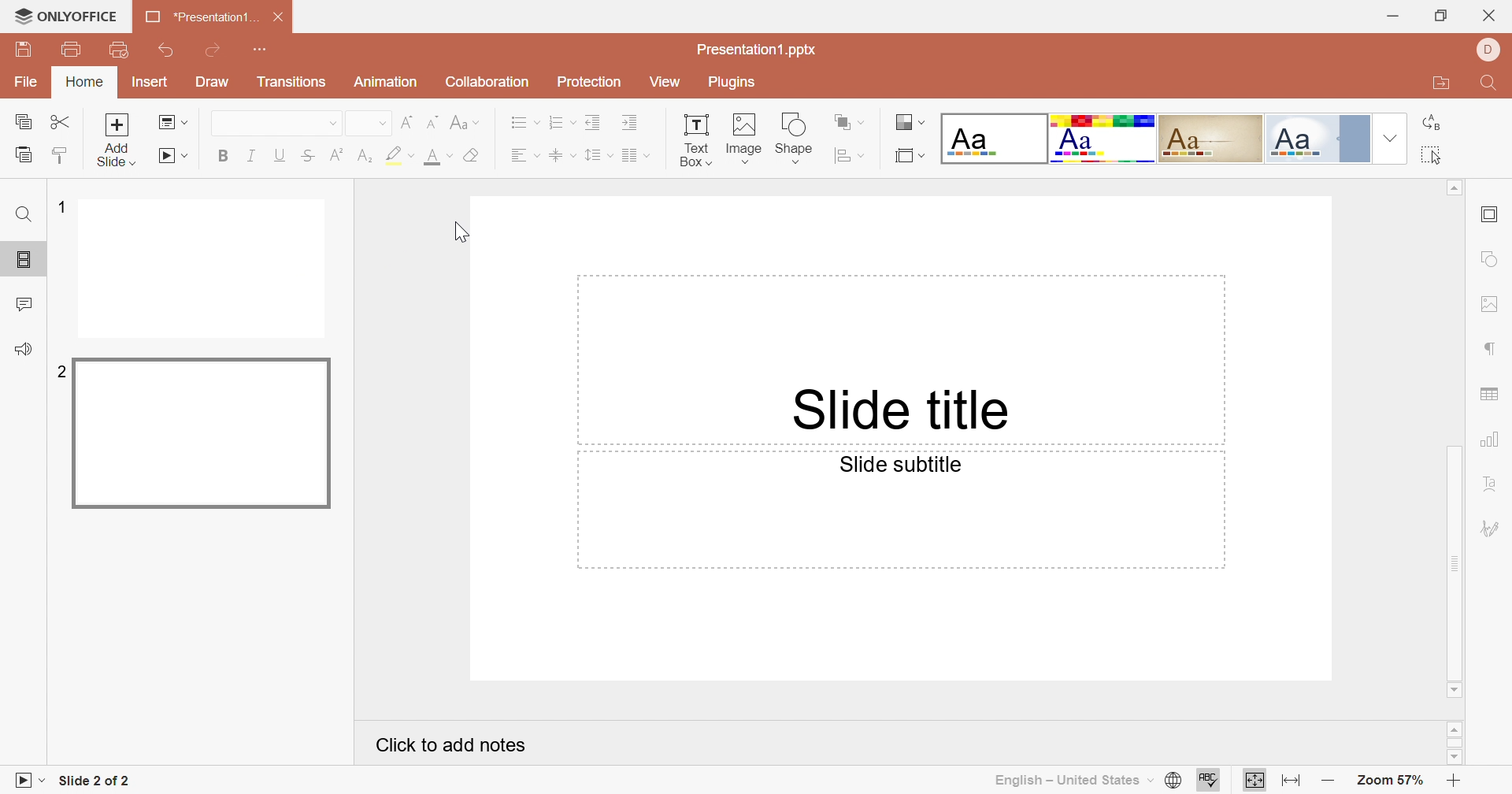 The width and height of the screenshot is (1512, 794). What do you see at coordinates (74, 46) in the screenshot?
I see `Print` at bounding box center [74, 46].